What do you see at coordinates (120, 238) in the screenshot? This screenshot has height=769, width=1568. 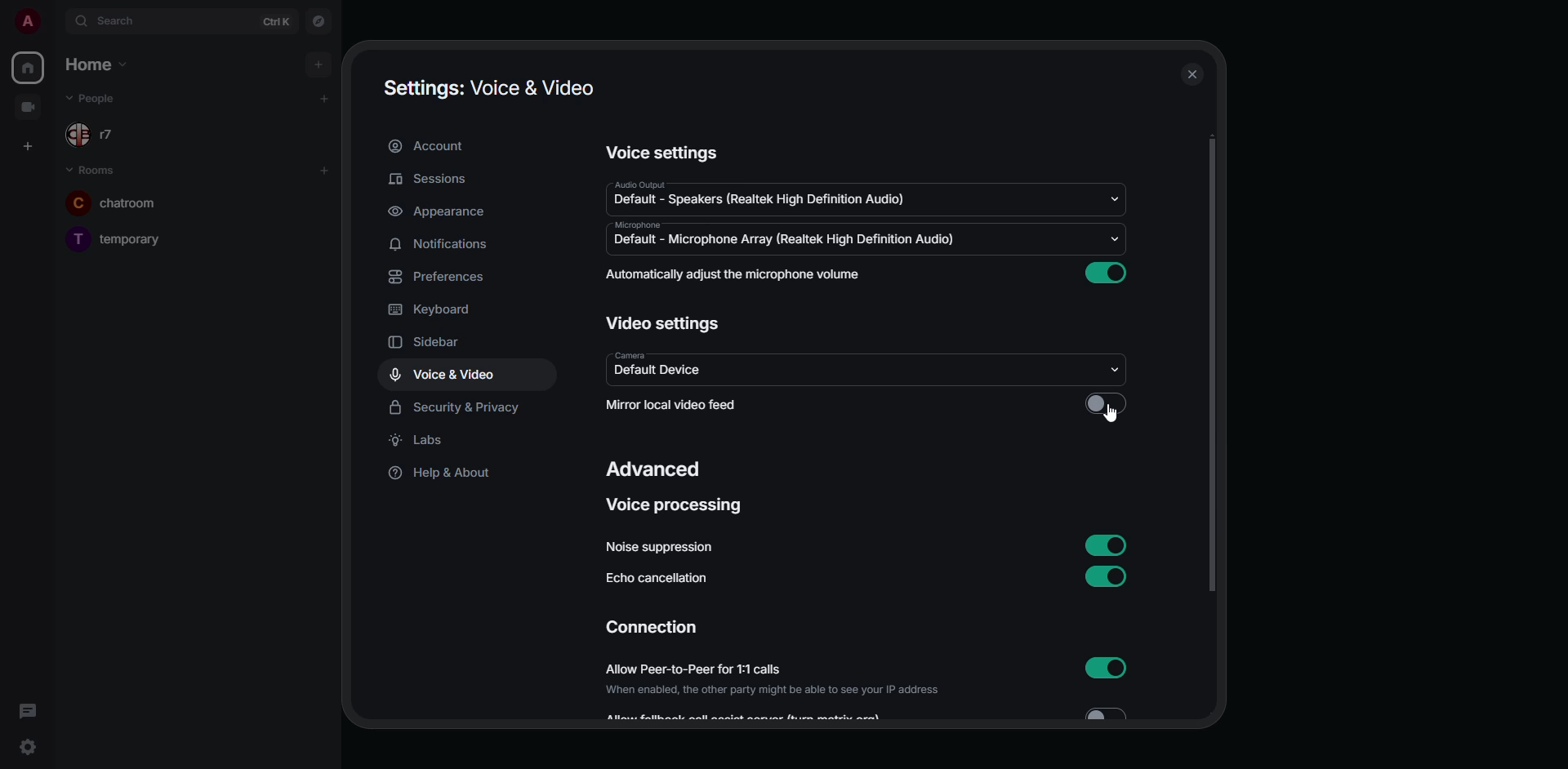 I see `temporary` at bounding box center [120, 238].